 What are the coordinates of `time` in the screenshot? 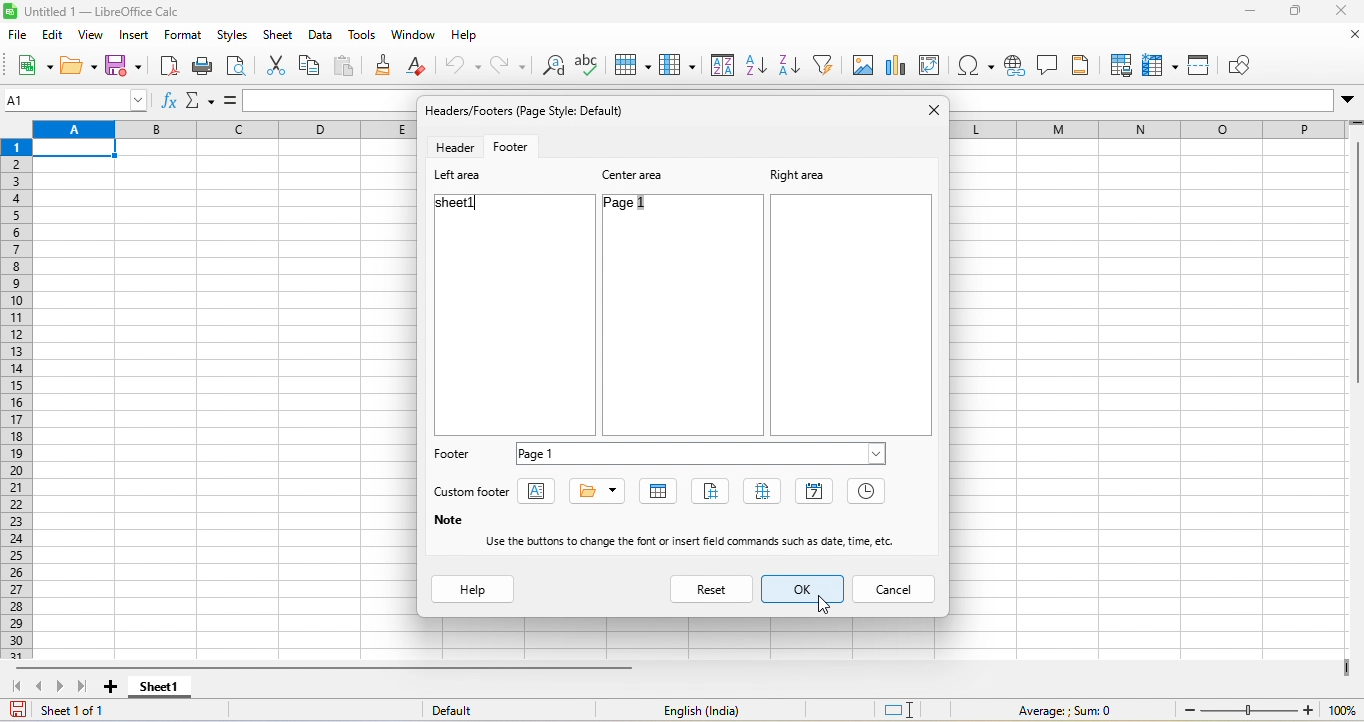 It's located at (868, 493).